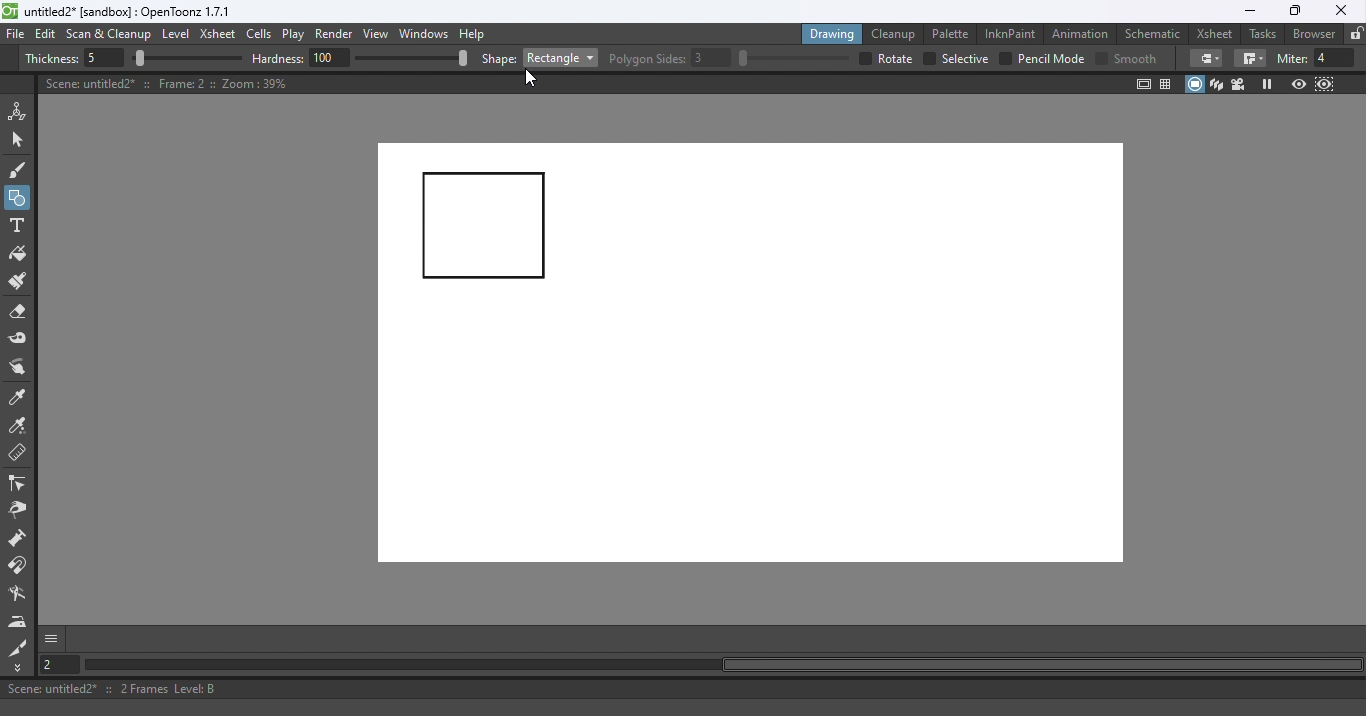 This screenshot has width=1366, height=716. What do you see at coordinates (10, 11) in the screenshot?
I see `logo` at bounding box center [10, 11].